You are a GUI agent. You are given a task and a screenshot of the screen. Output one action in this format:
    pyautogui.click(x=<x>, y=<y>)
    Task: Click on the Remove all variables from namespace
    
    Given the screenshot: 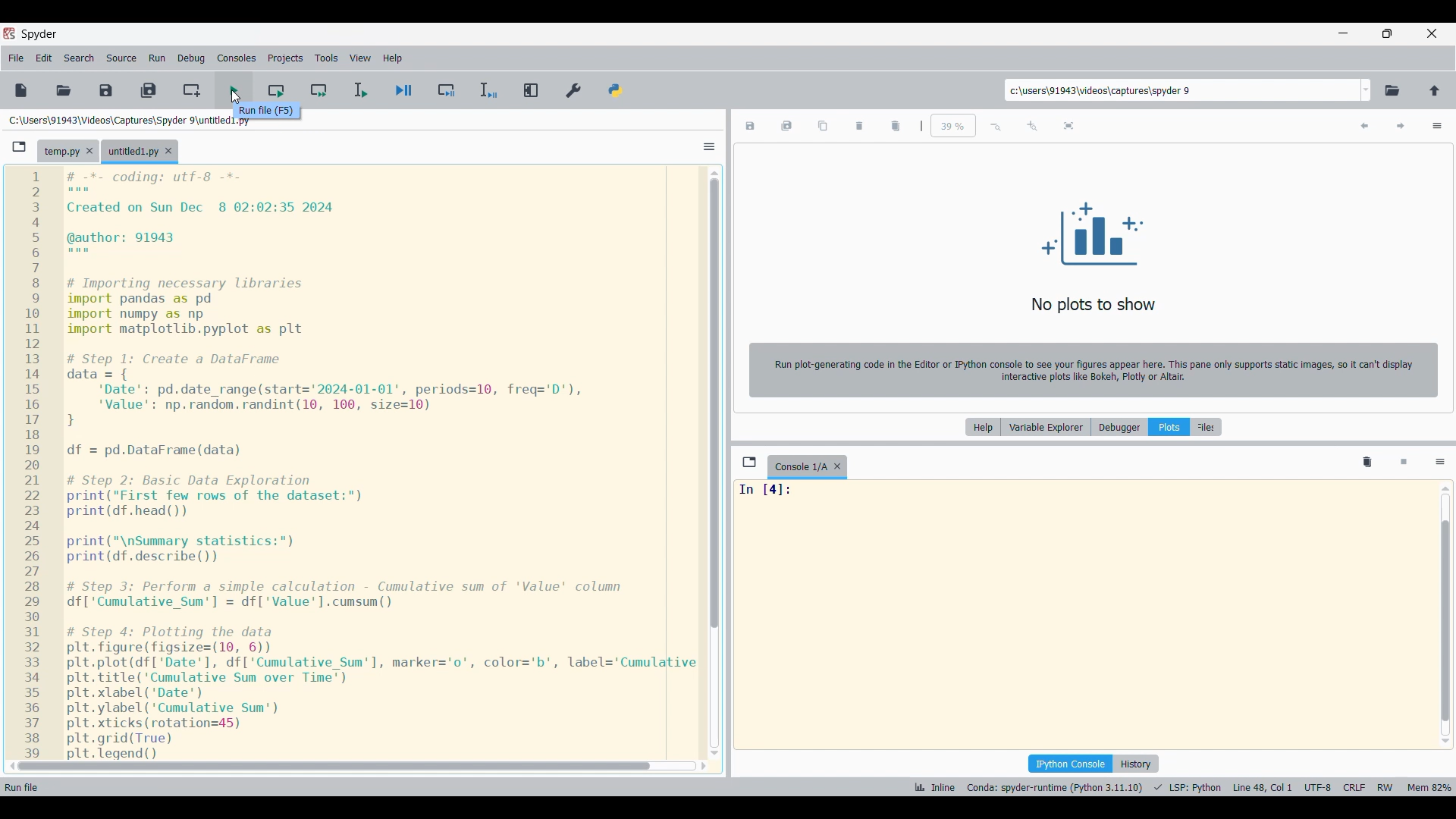 What is the action you would take?
    pyautogui.click(x=1367, y=463)
    